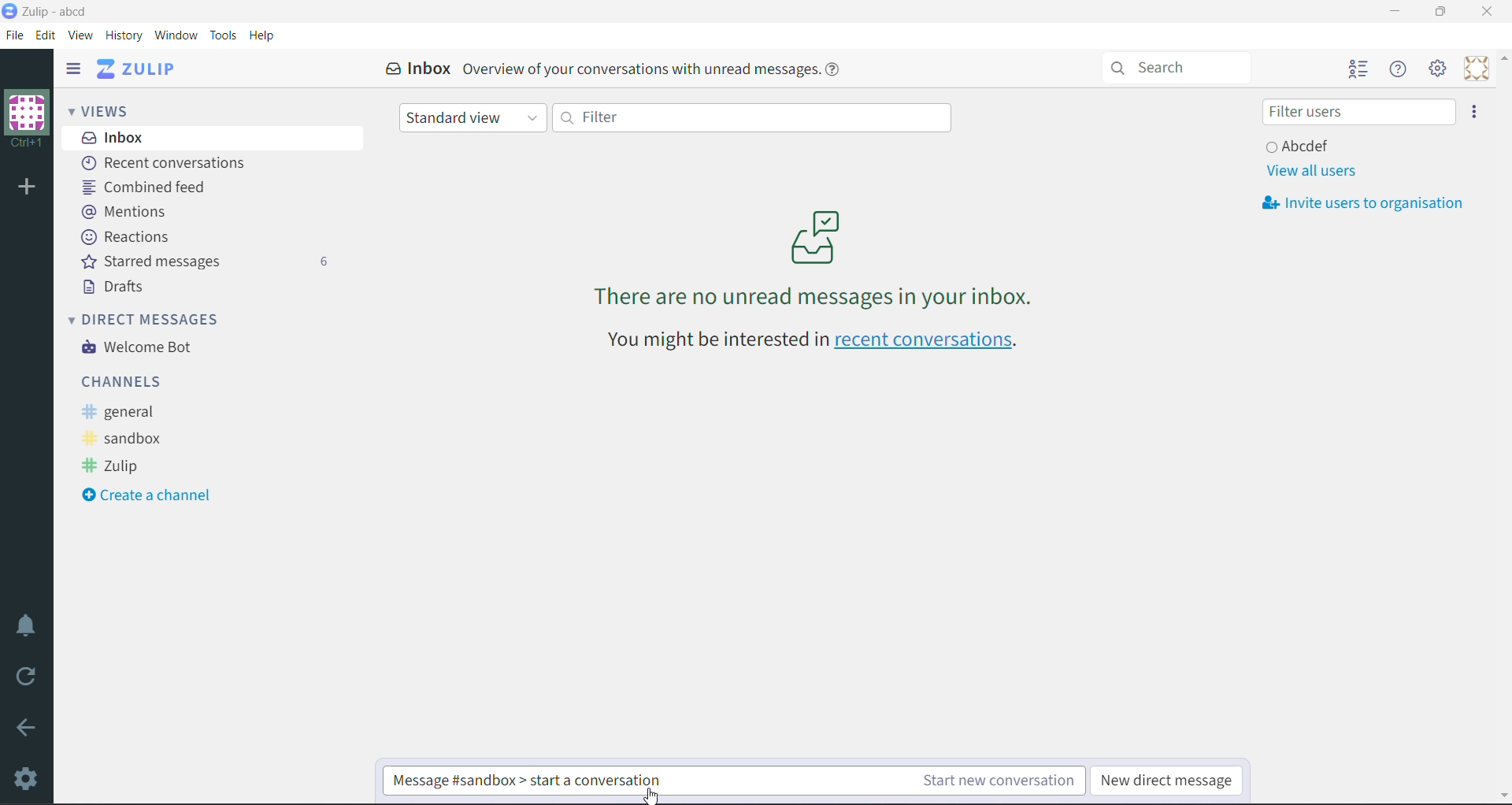  What do you see at coordinates (213, 137) in the screenshot?
I see `Inbox` at bounding box center [213, 137].